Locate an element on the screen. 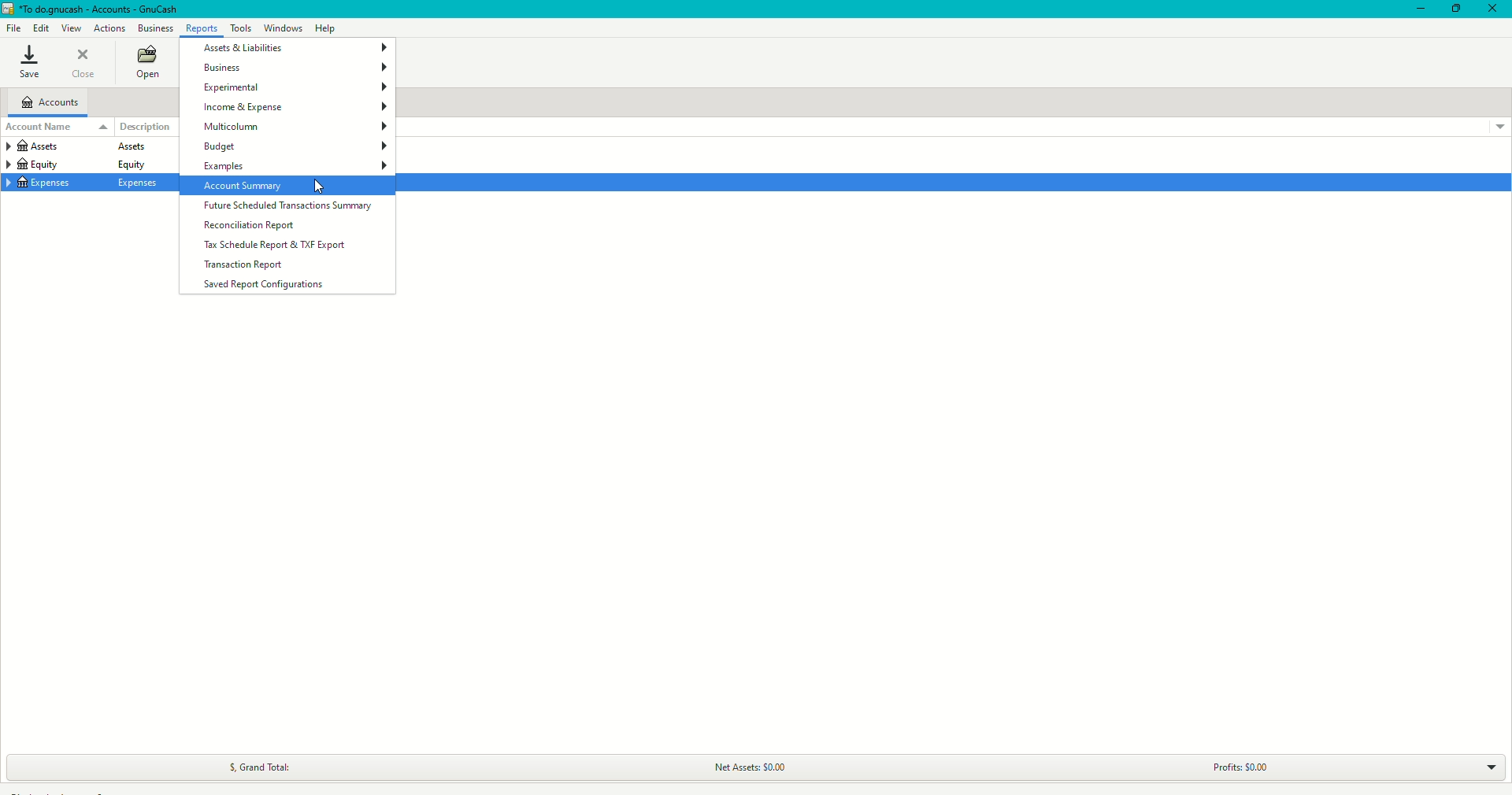 The width and height of the screenshot is (1512, 795). Restore is located at coordinates (1458, 8).